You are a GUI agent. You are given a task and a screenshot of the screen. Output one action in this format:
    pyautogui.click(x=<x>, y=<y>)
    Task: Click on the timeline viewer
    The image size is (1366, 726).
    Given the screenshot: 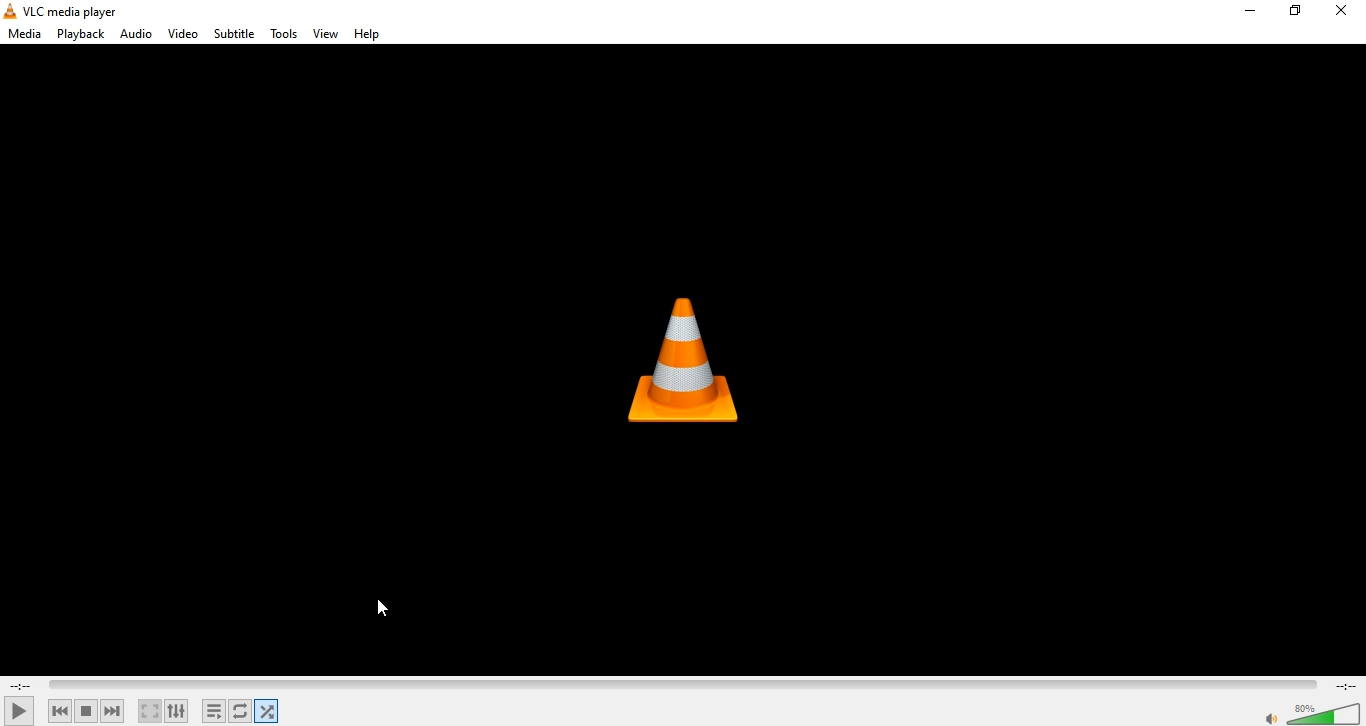 What is the action you would take?
    pyautogui.click(x=683, y=685)
    